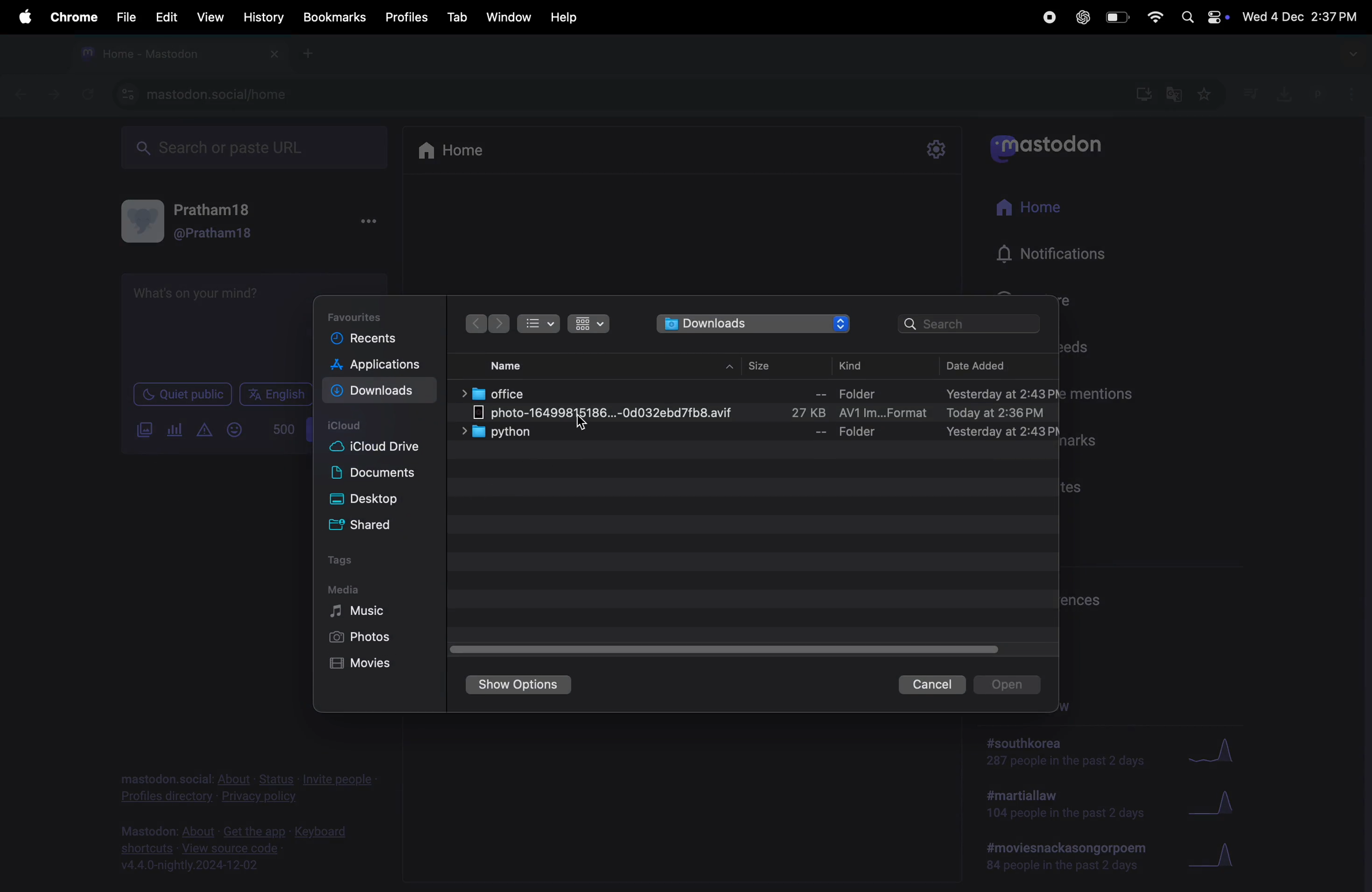 Image resolution: width=1372 pixels, height=892 pixels. What do you see at coordinates (1048, 17) in the screenshot?
I see `record` at bounding box center [1048, 17].